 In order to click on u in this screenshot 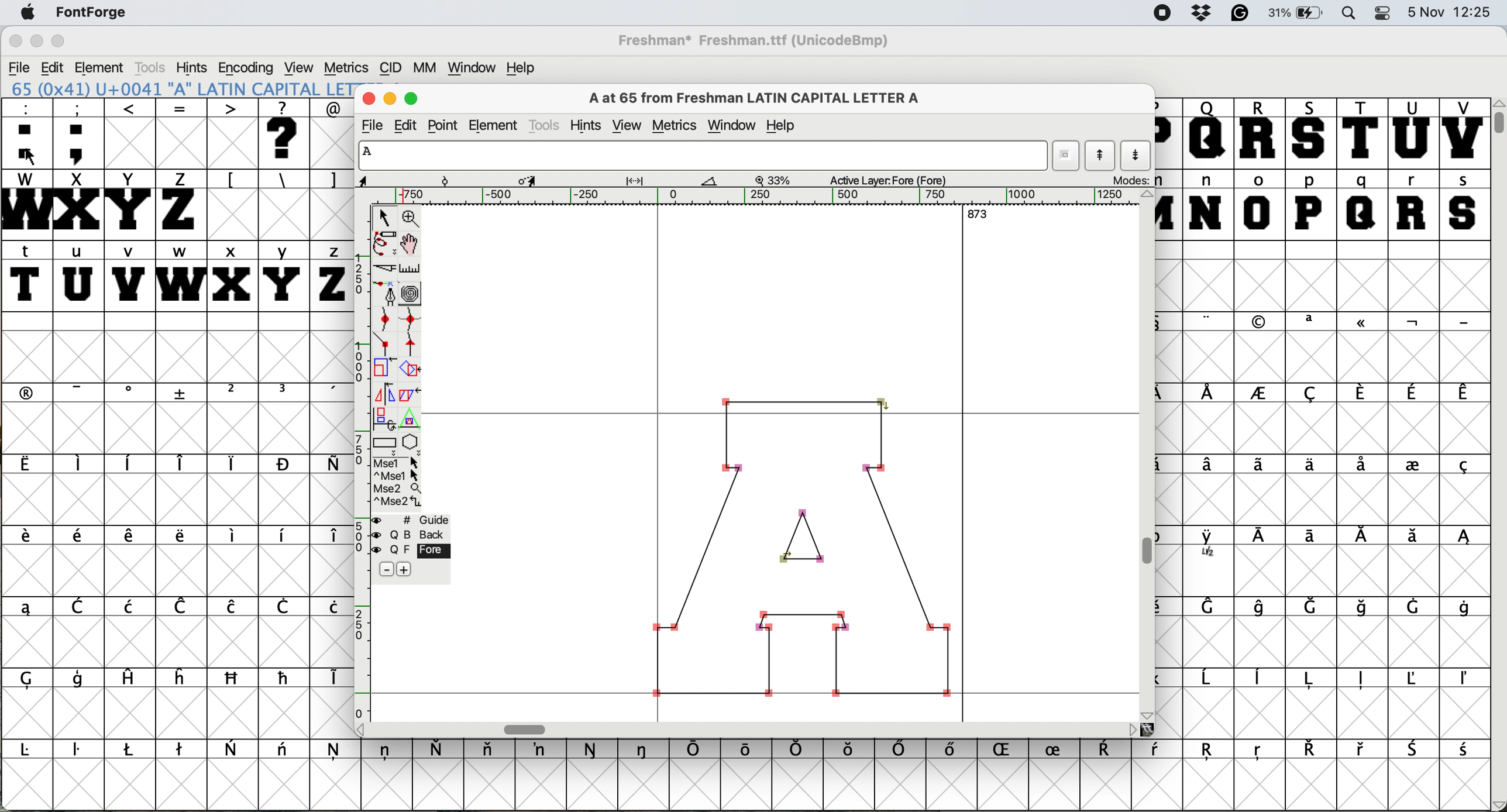, I will do `click(78, 277)`.